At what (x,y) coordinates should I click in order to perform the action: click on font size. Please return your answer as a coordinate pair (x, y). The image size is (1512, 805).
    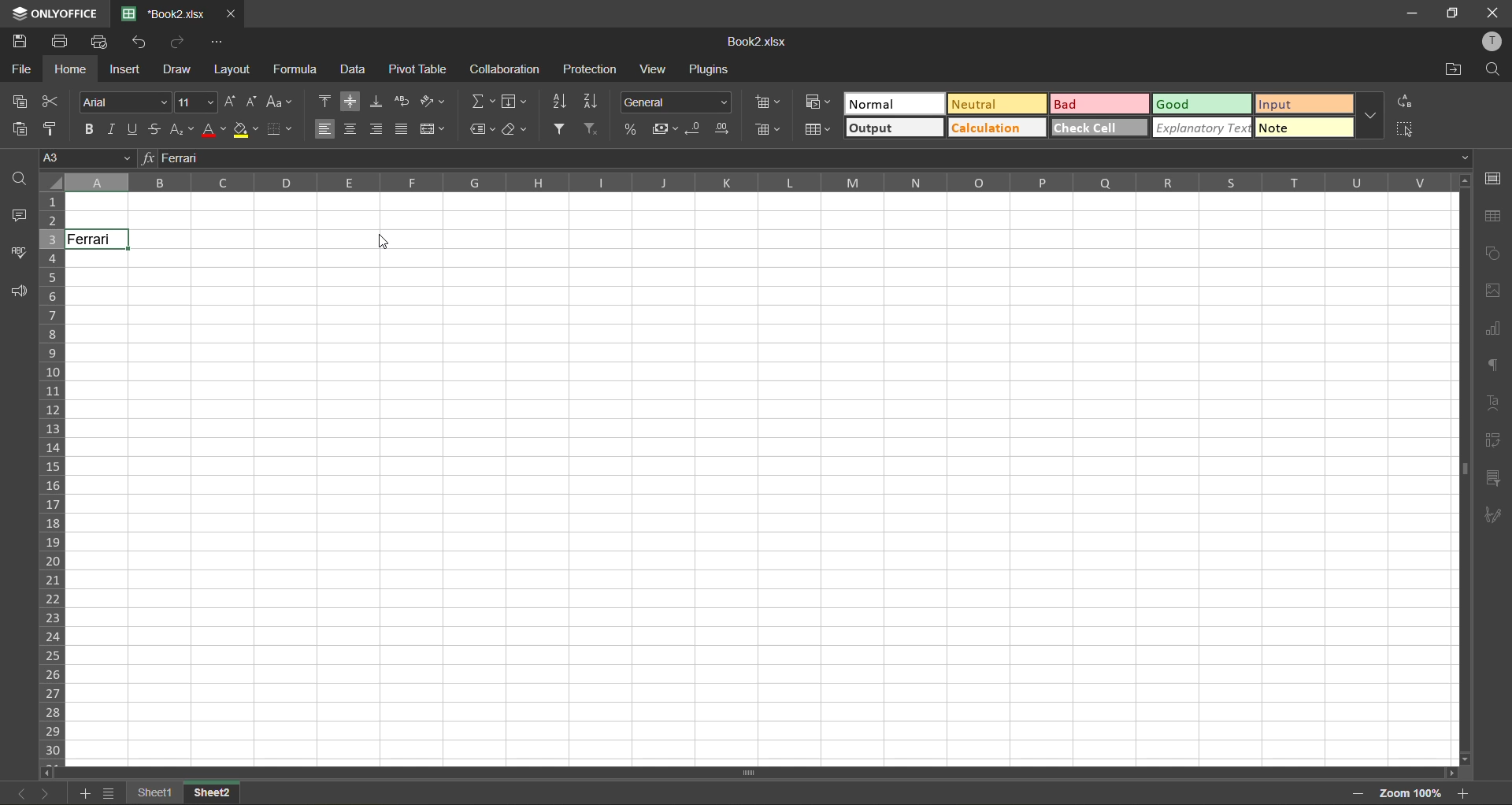
    Looking at the image, I should click on (195, 100).